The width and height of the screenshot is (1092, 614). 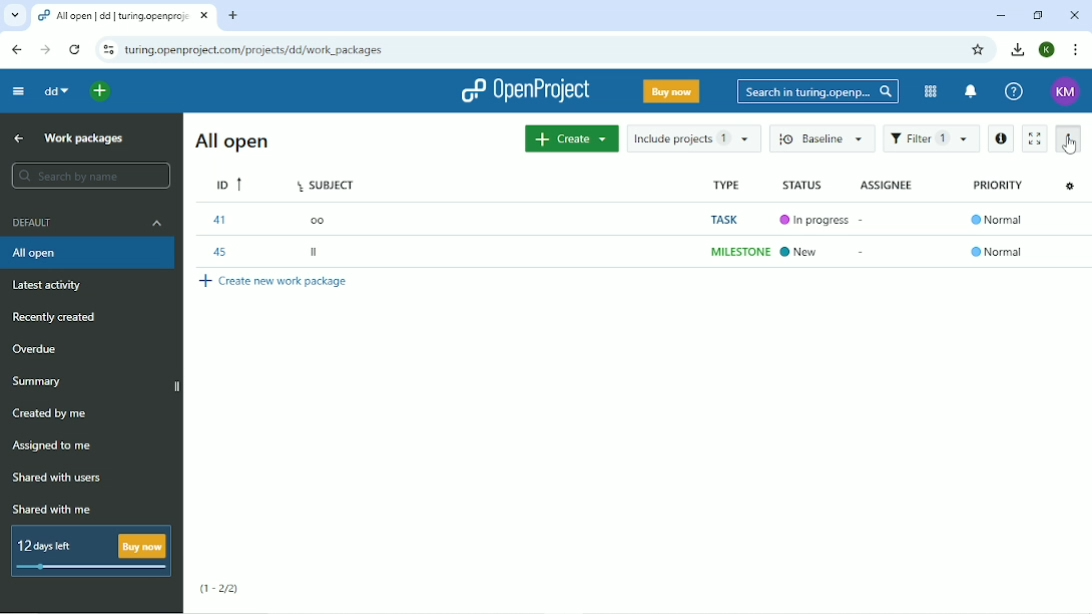 What do you see at coordinates (572, 138) in the screenshot?
I see `Create` at bounding box center [572, 138].